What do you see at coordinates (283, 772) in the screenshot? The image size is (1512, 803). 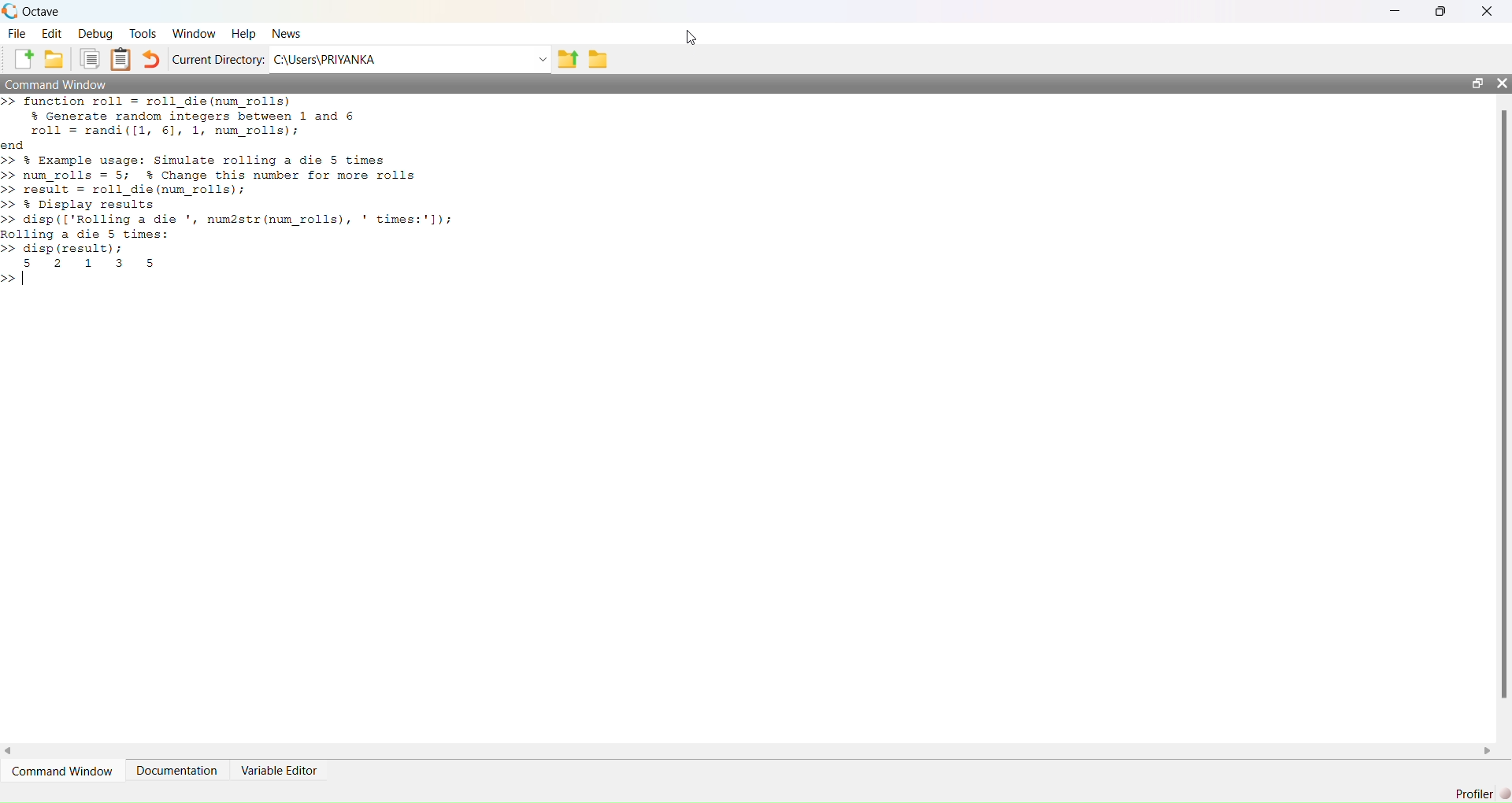 I see `variable editor` at bounding box center [283, 772].